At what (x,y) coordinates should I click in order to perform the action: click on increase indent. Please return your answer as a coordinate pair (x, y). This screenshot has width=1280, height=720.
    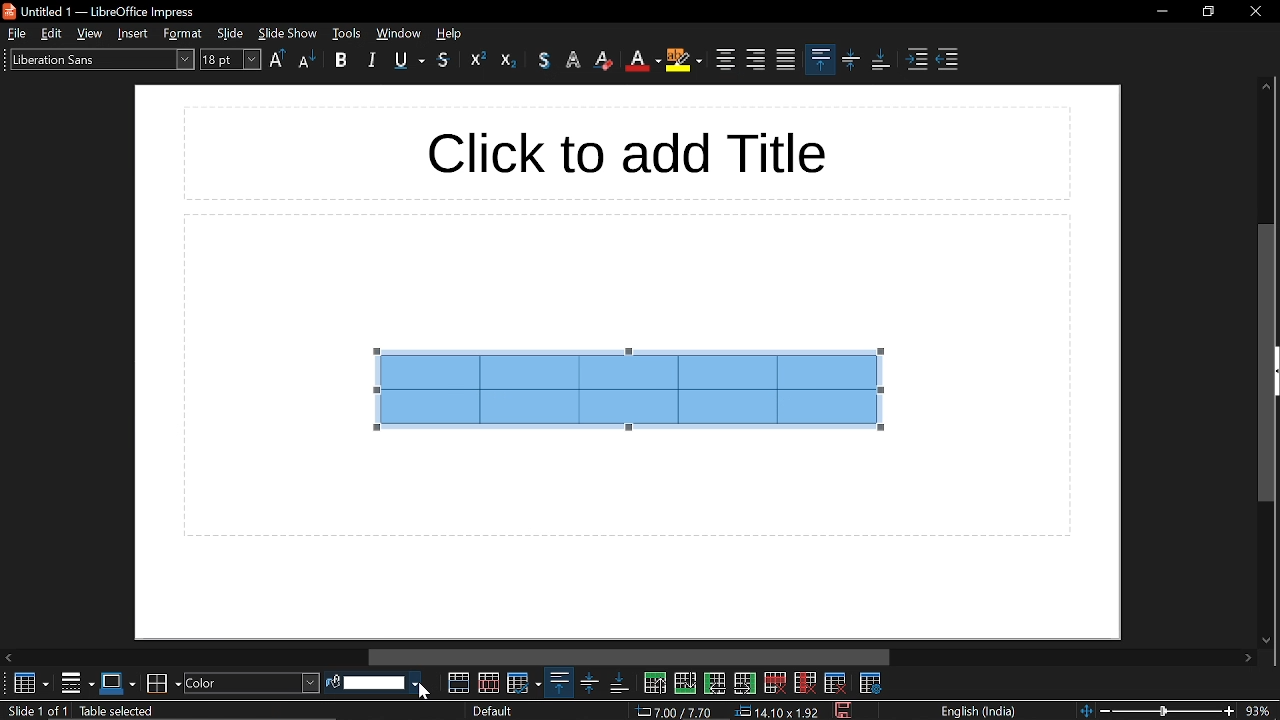
    Looking at the image, I should click on (919, 59).